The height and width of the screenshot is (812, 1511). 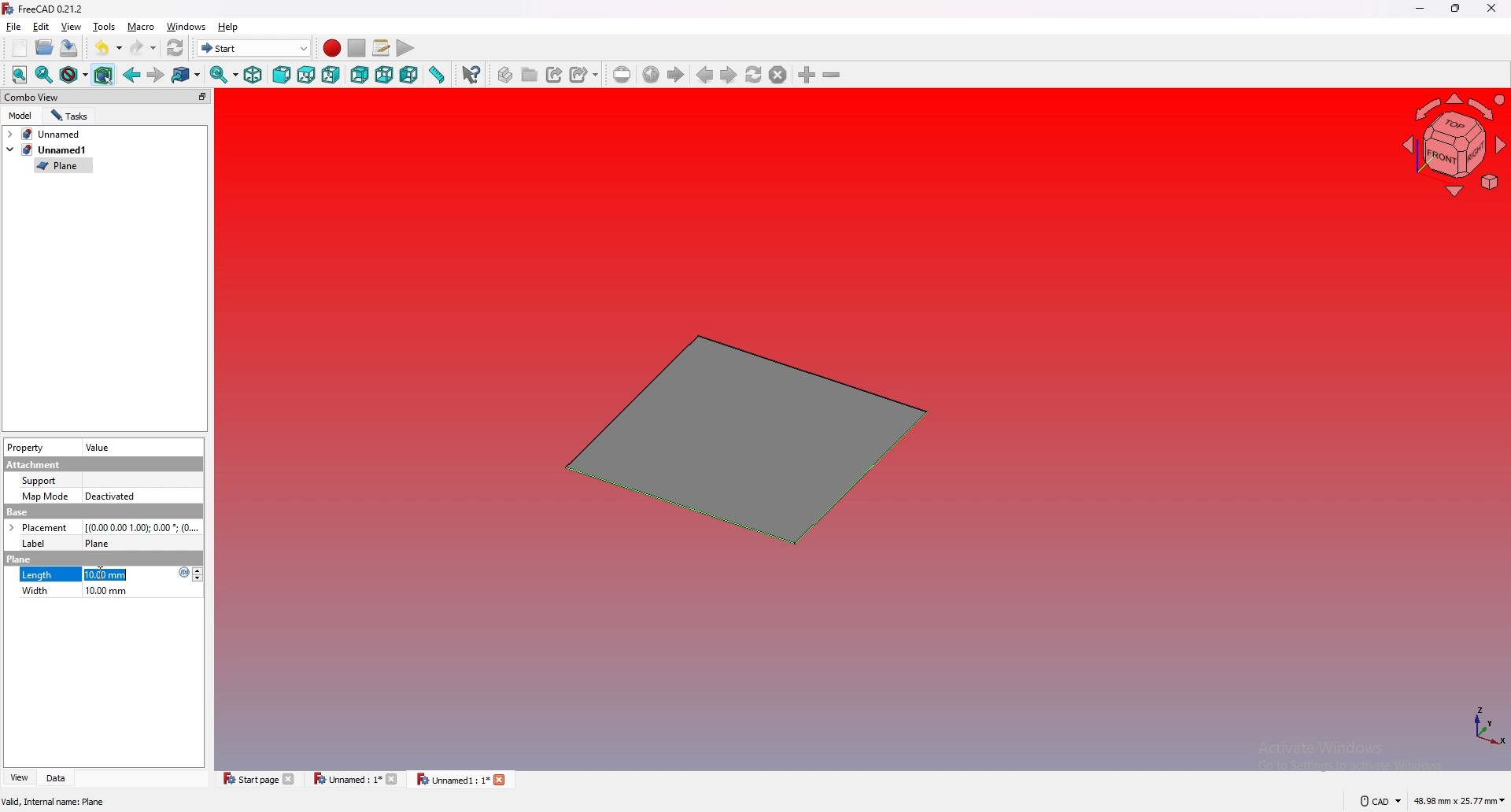 What do you see at coordinates (20, 75) in the screenshot?
I see `fit all` at bounding box center [20, 75].